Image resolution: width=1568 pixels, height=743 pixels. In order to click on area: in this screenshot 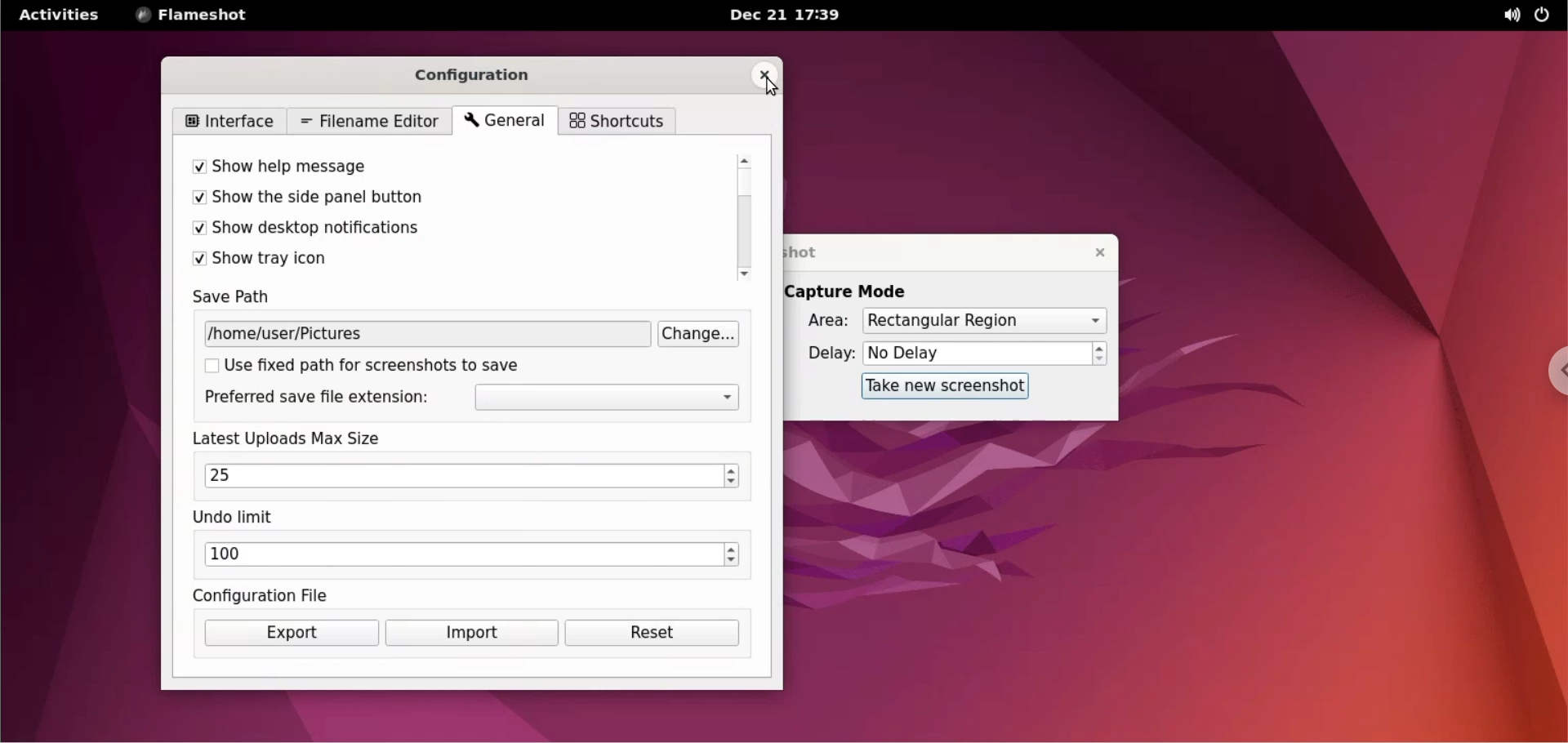, I will do `click(822, 323)`.